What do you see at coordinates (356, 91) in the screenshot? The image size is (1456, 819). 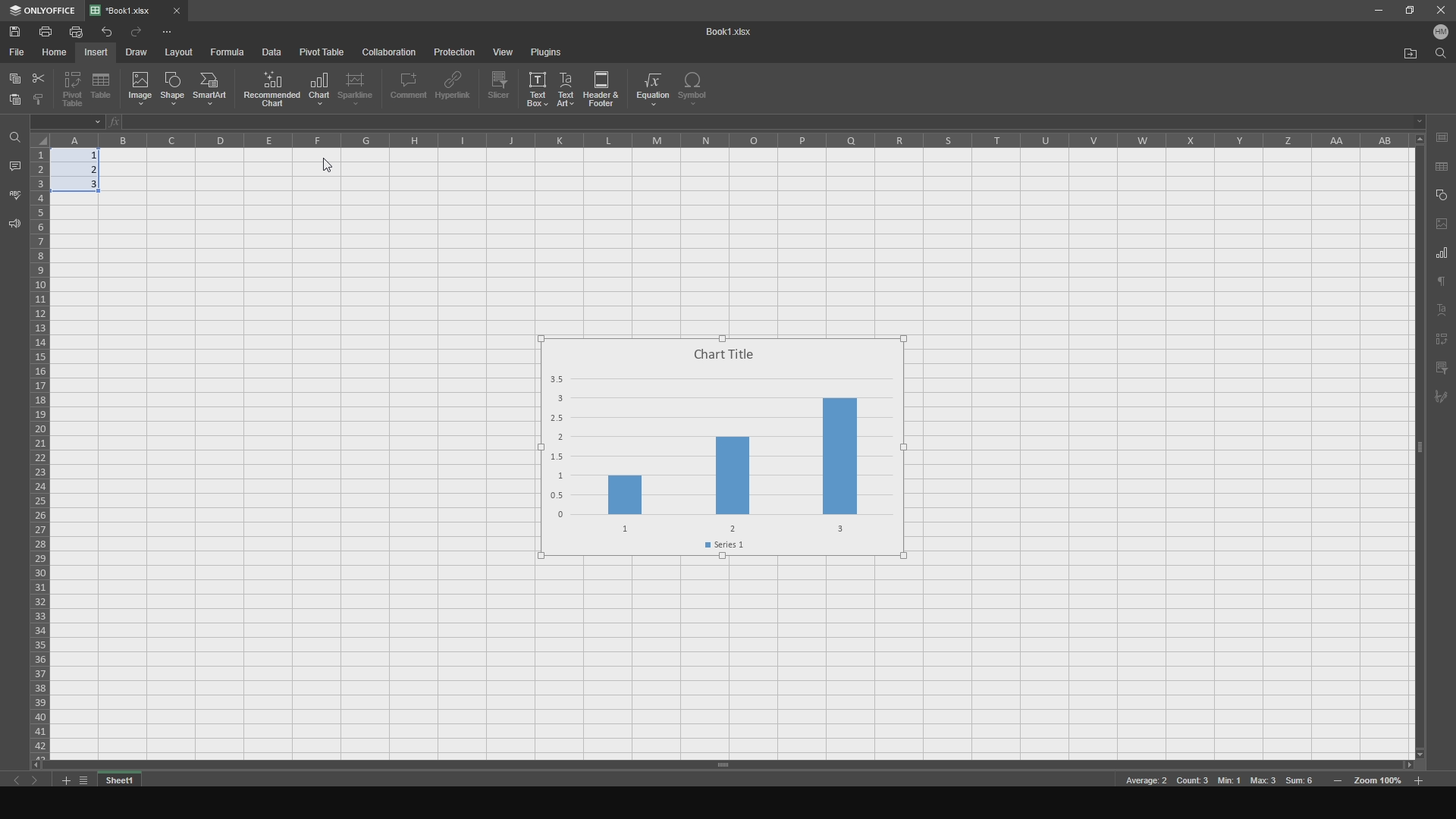 I see `sparkline` at bounding box center [356, 91].